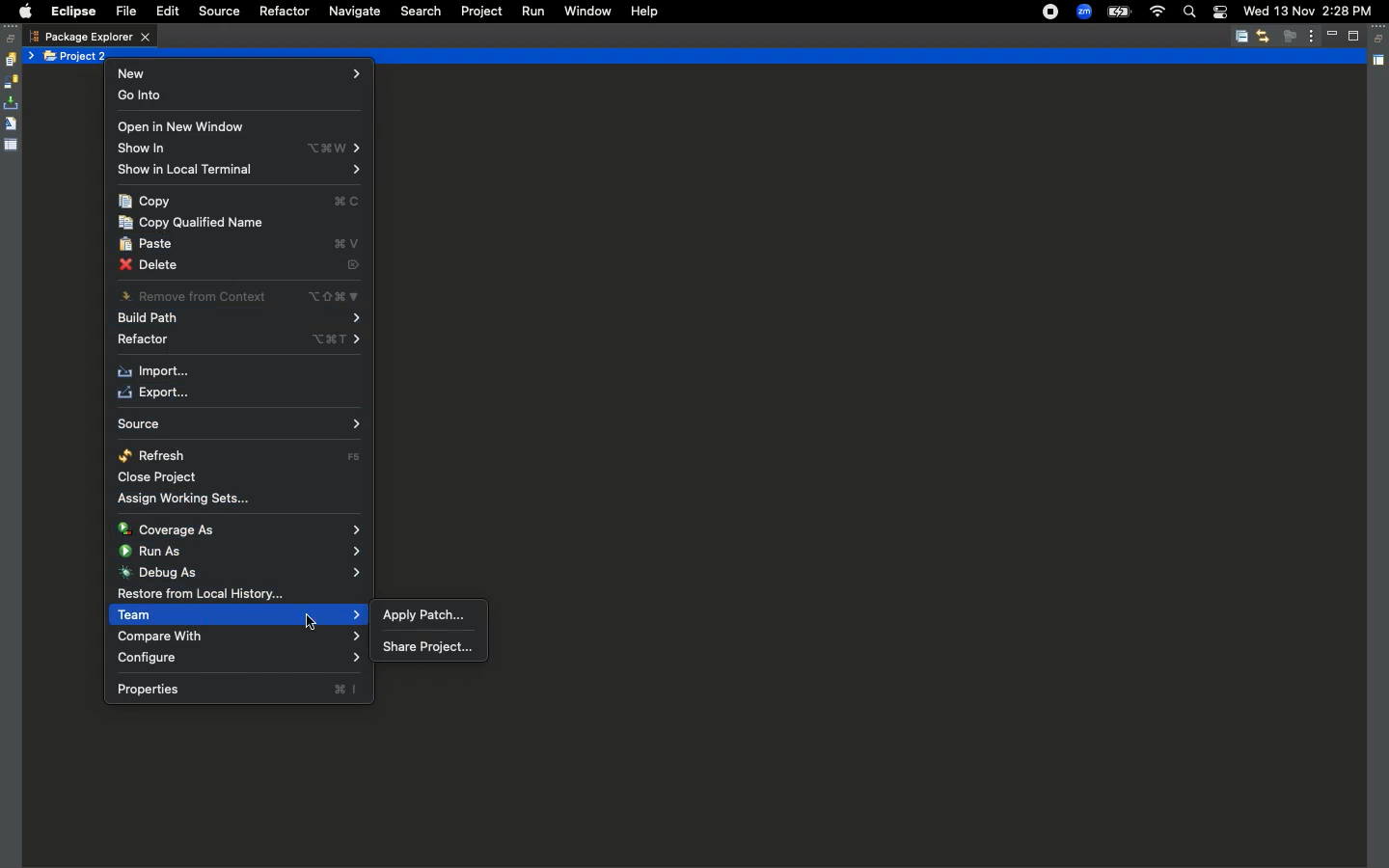 This screenshot has height=868, width=1389. What do you see at coordinates (1219, 14) in the screenshot?
I see `Notification` at bounding box center [1219, 14].